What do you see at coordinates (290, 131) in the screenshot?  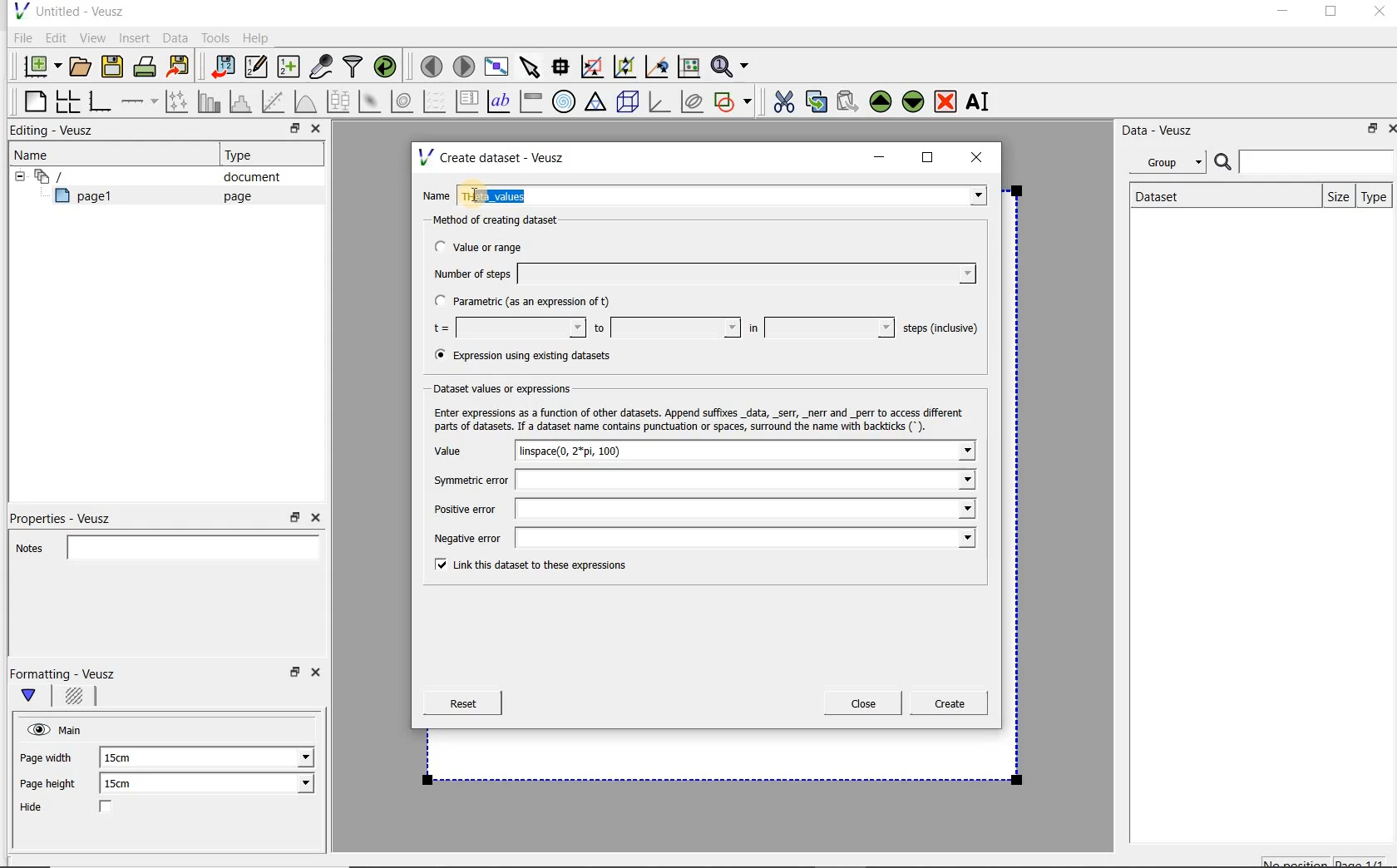 I see `restore down` at bounding box center [290, 131].